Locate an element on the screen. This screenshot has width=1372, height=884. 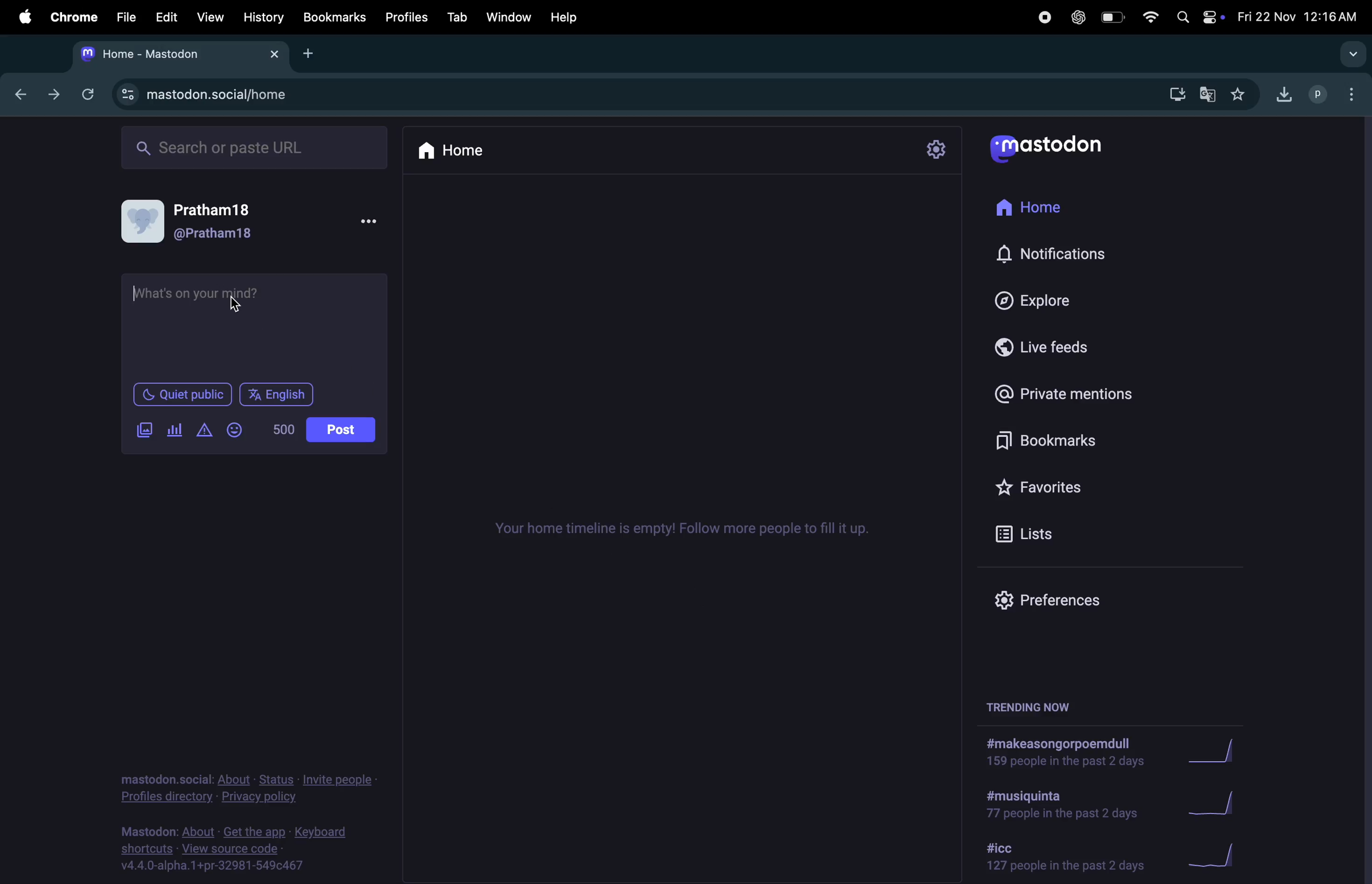
posts is located at coordinates (341, 431).